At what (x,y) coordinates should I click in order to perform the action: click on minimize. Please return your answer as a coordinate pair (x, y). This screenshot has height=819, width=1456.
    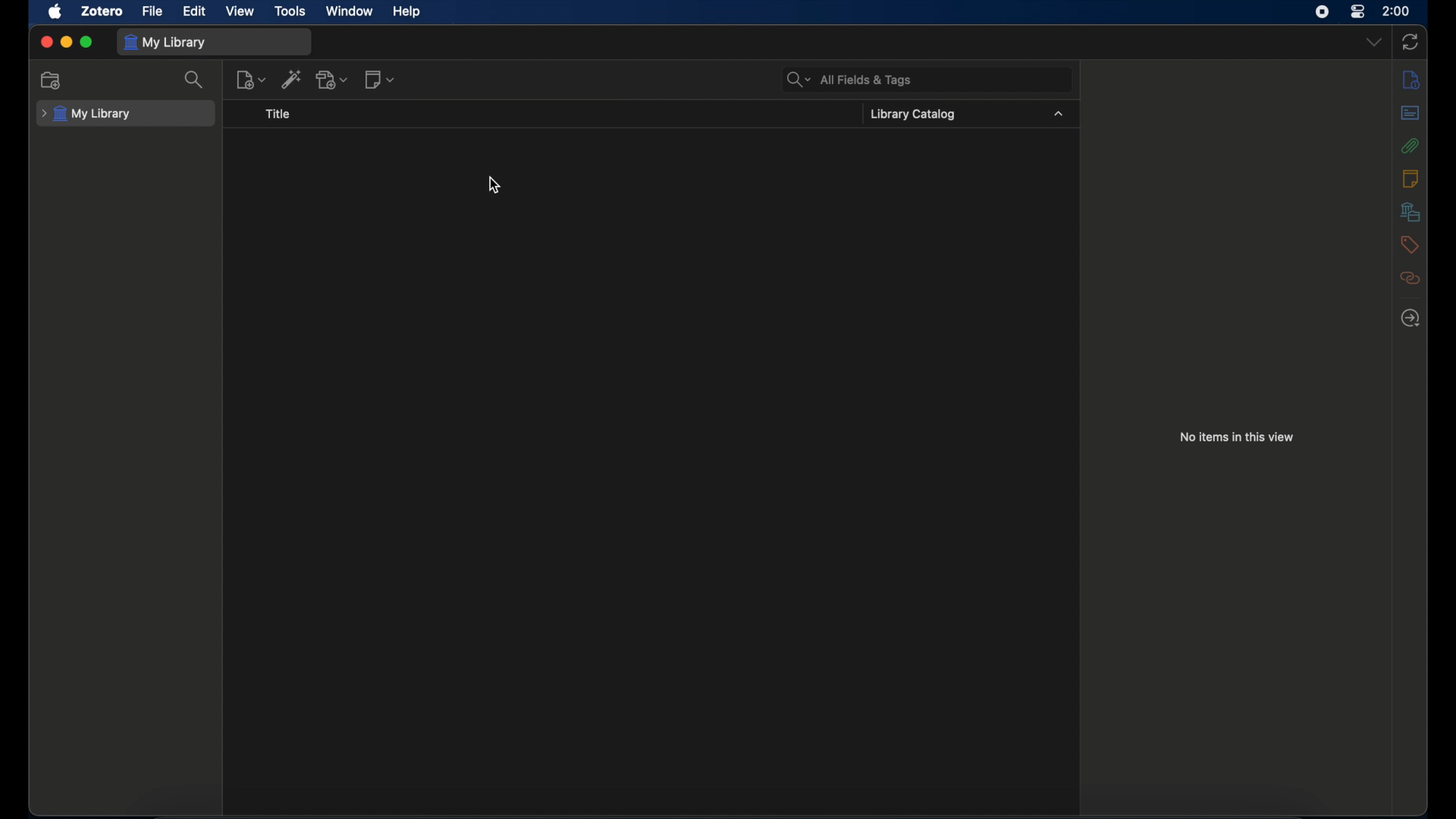
    Looking at the image, I should click on (65, 41).